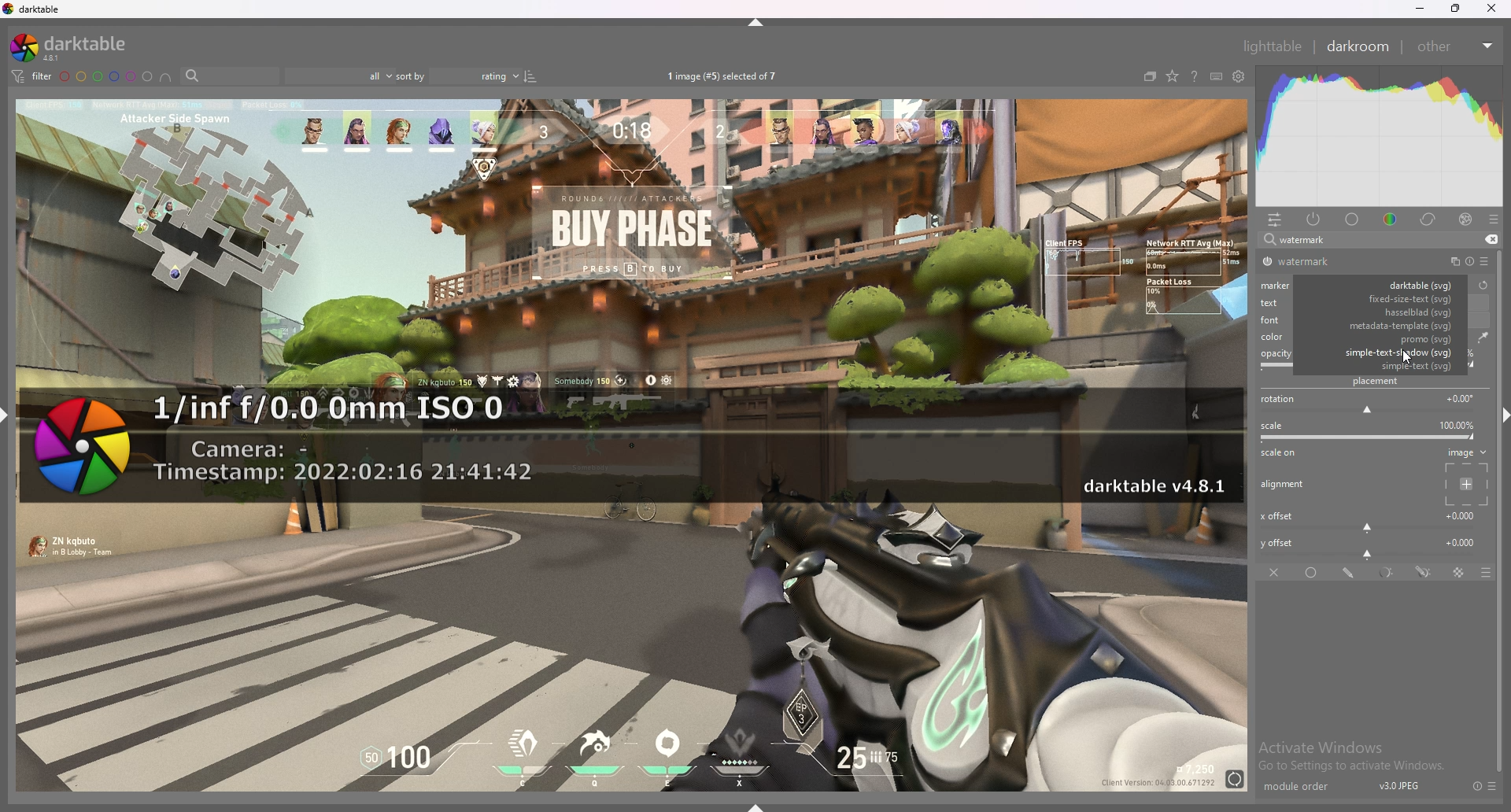 This screenshot has height=812, width=1511. What do you see at coordinates (1369, 519) in the screenshot?
I see `xoffset` at bounding box center [1369, 519].